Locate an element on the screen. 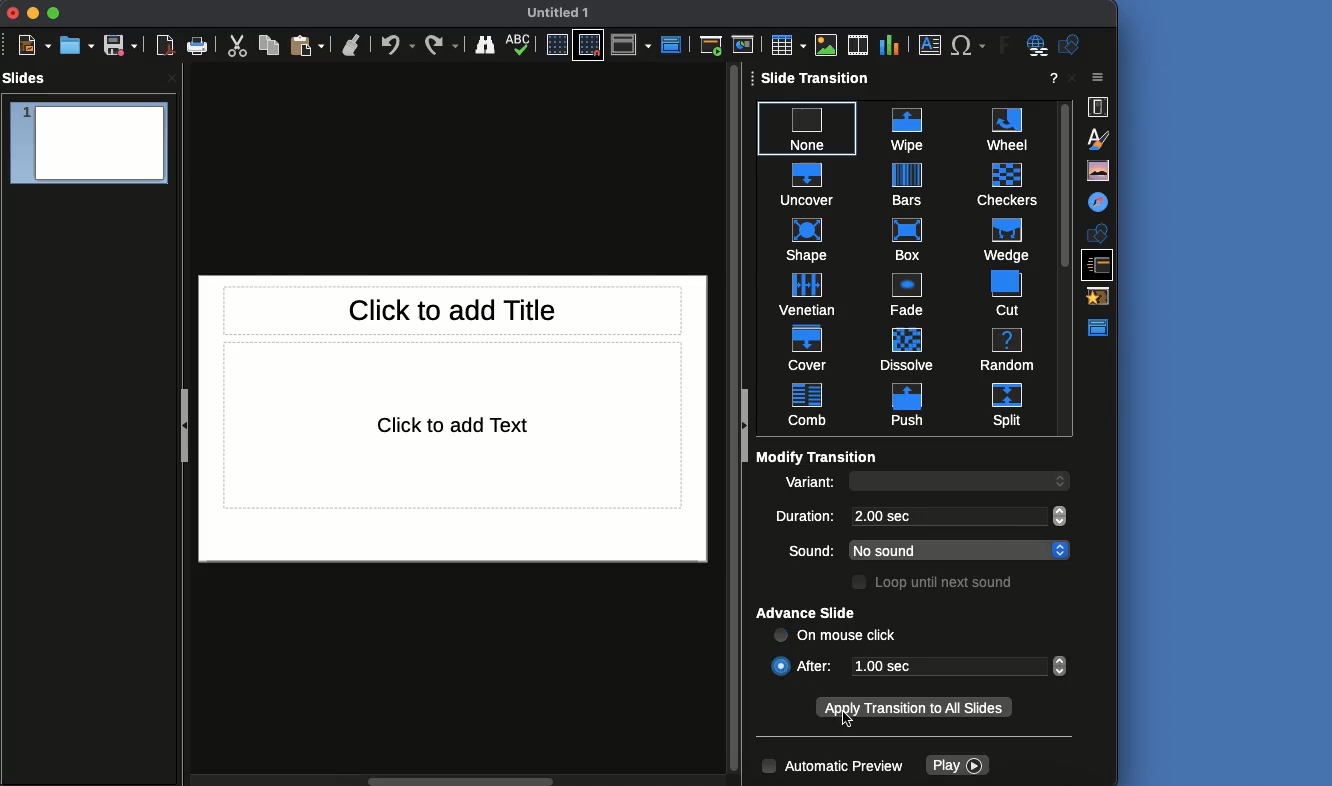  scroll is located at coordinates (458, 779).